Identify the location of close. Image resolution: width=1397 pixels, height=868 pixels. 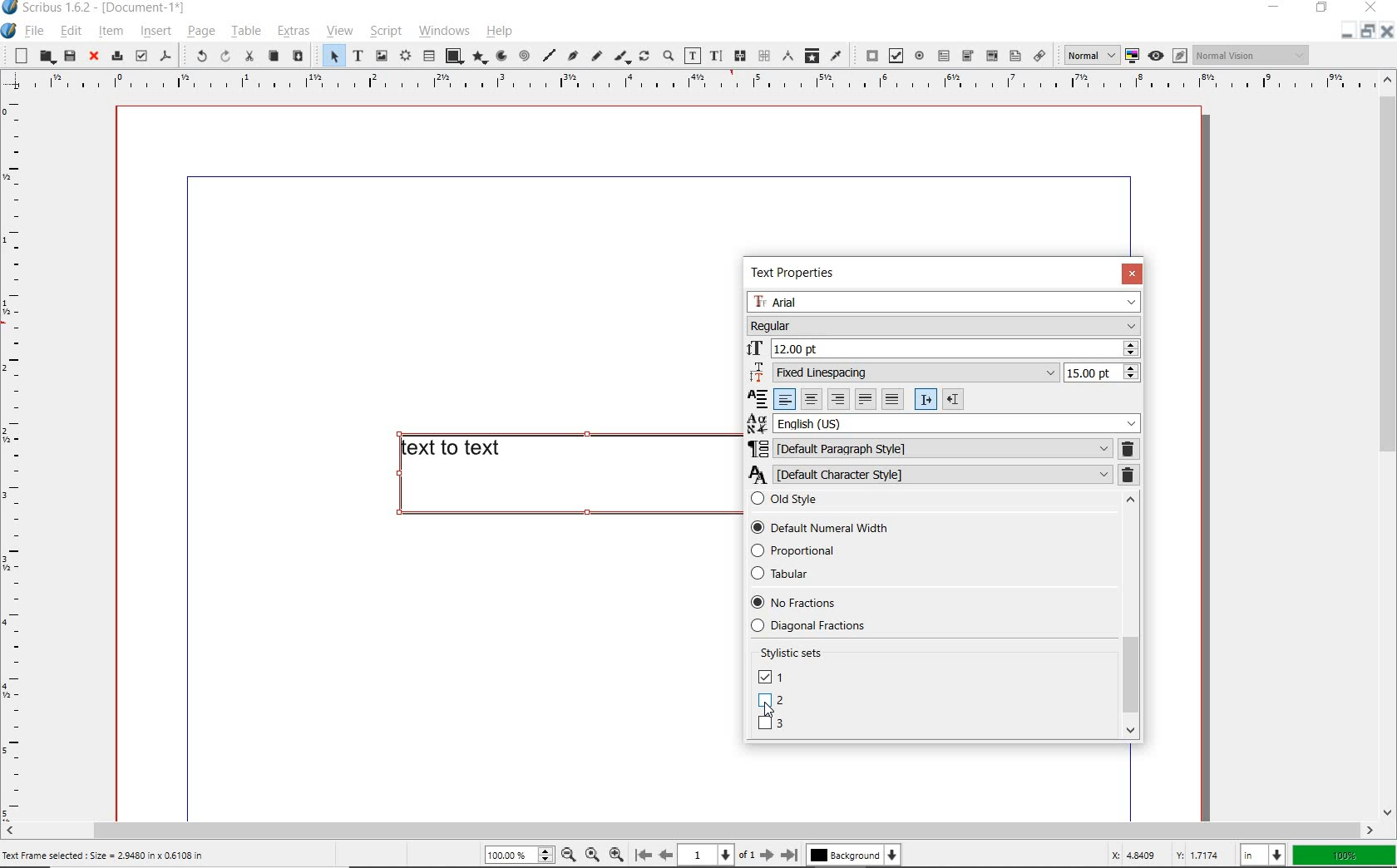
(91, 57).